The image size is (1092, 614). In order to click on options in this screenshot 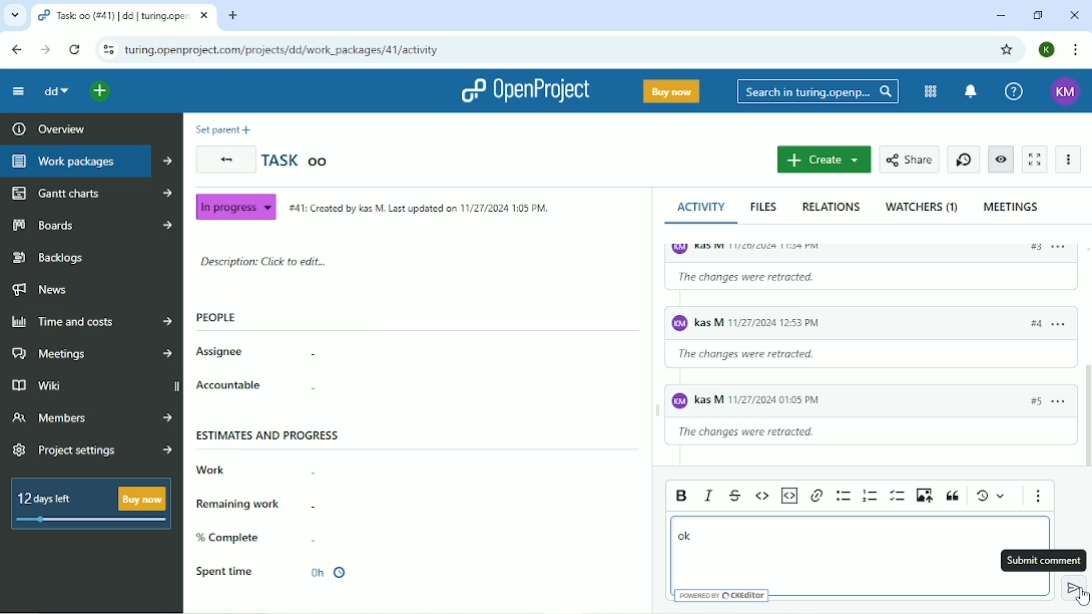, I will do `click(1062, 247)`.